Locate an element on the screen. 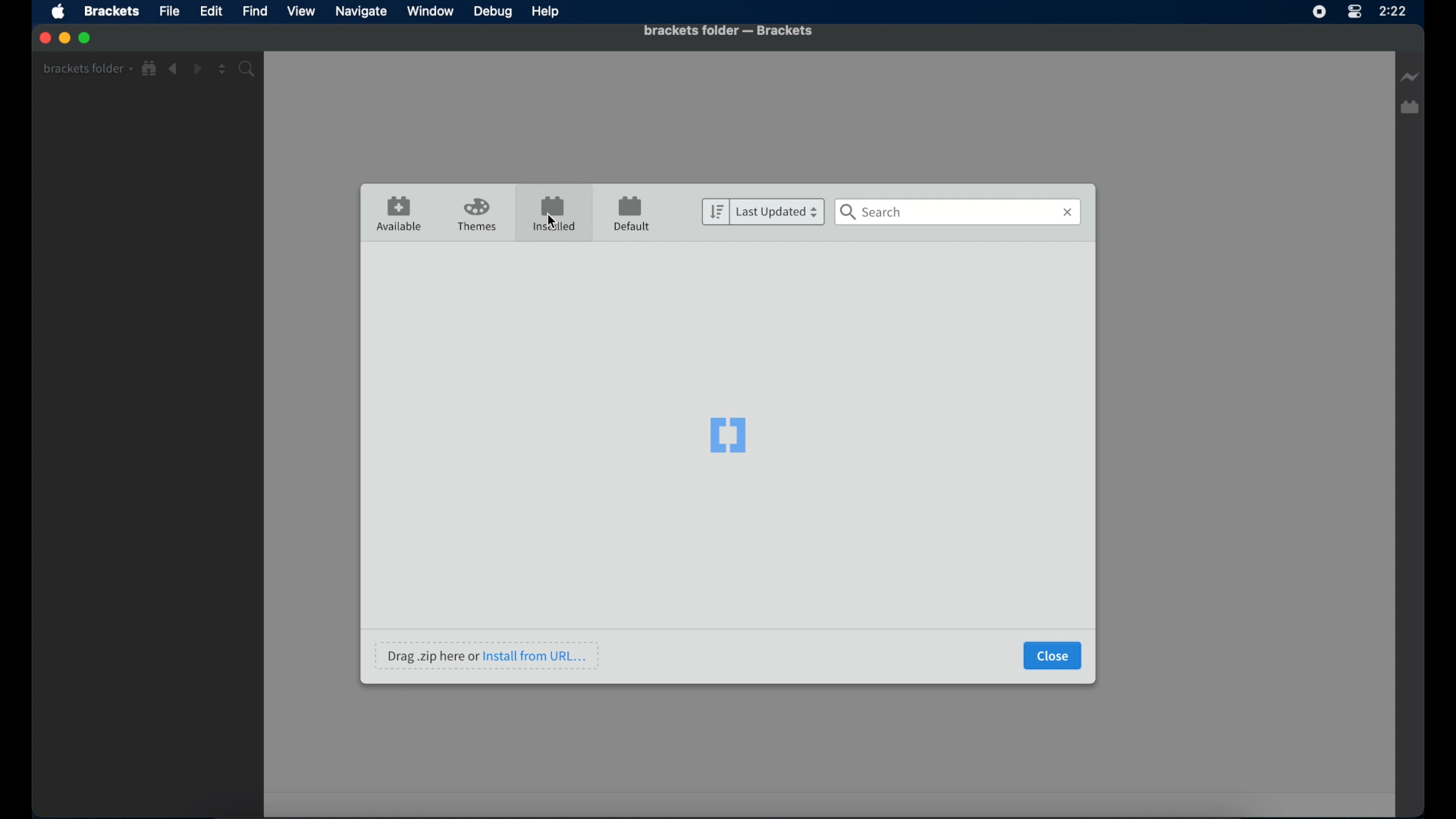  navigate is located at coordinates (360, 11).